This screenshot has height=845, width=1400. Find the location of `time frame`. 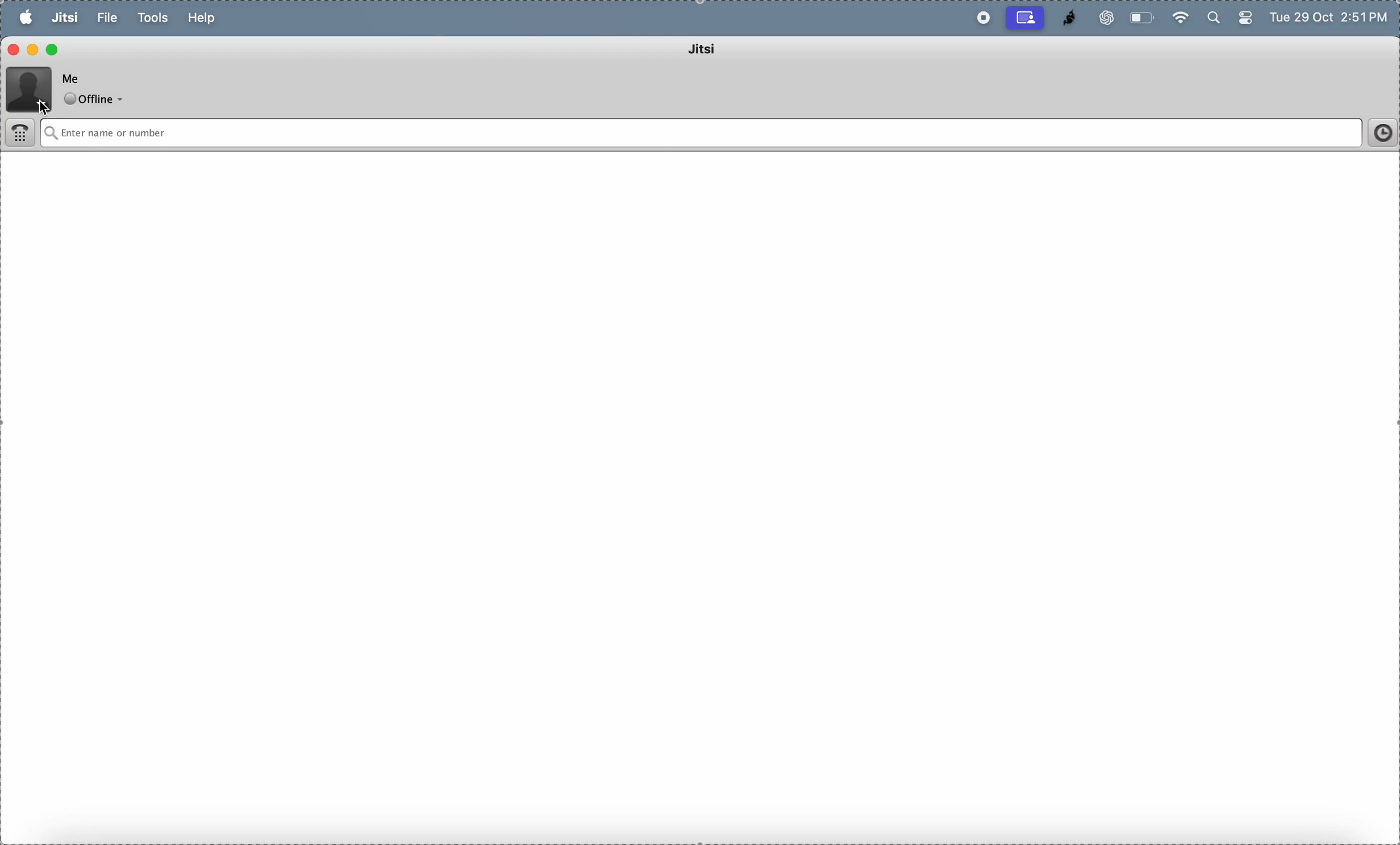

time frame is located at coordinates (1378, 133).